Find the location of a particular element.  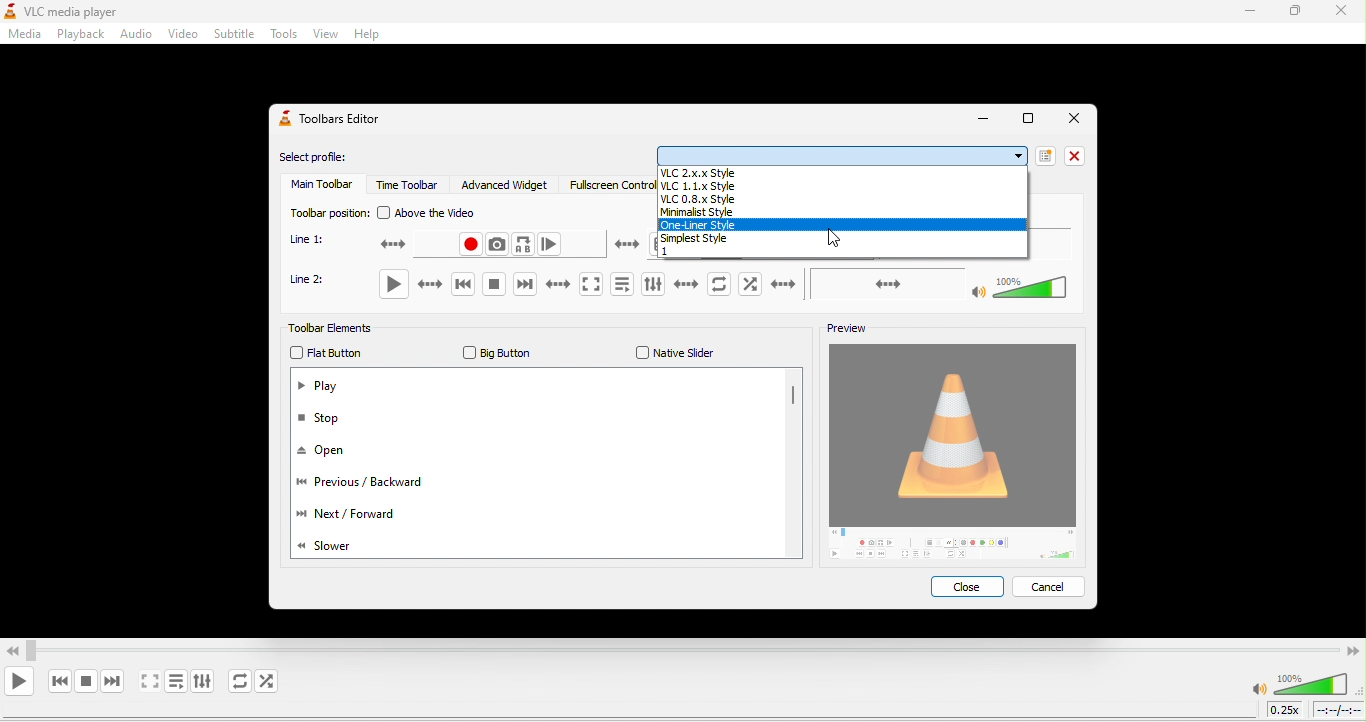

main toolbar is located at coordinates (318, 186).